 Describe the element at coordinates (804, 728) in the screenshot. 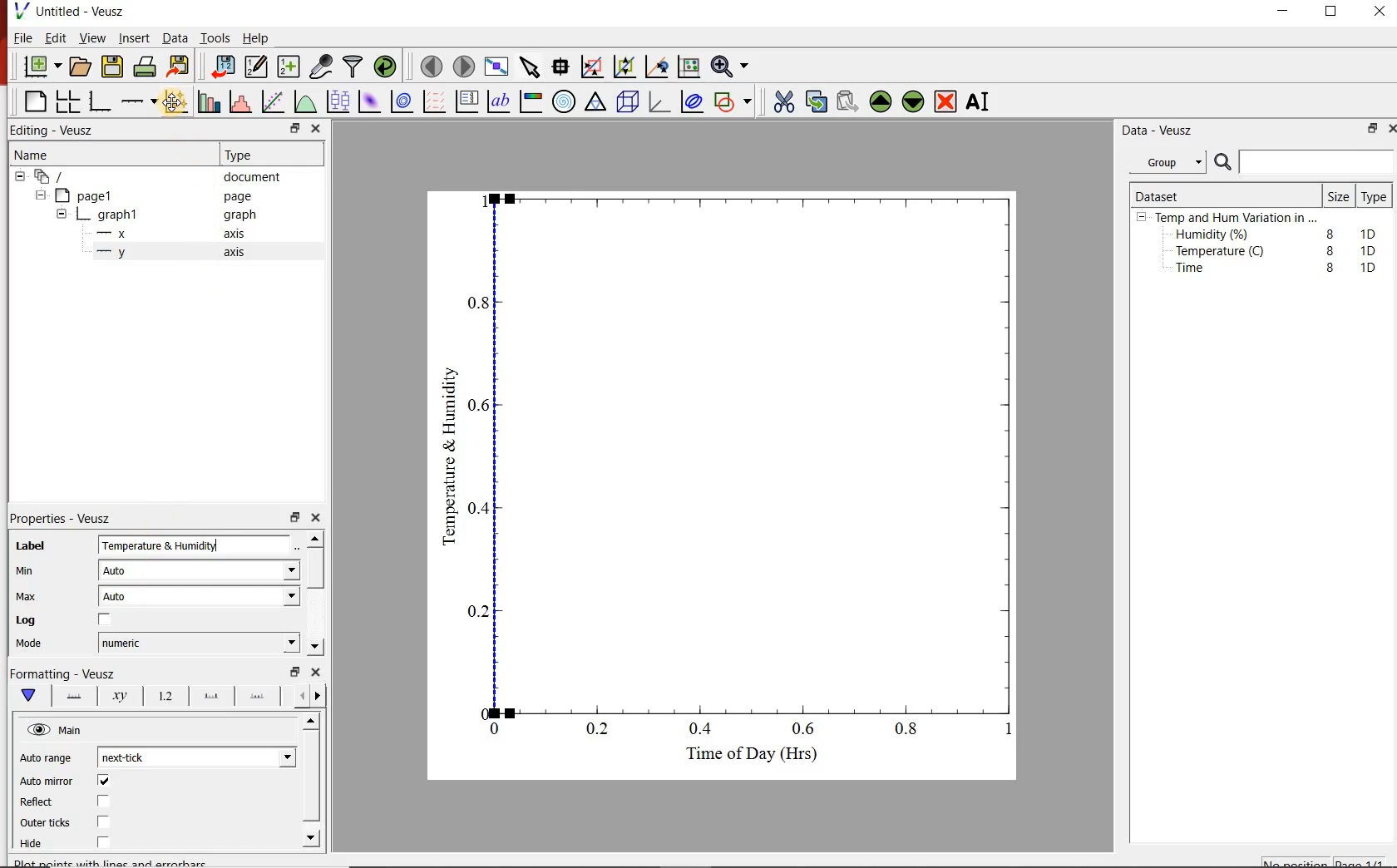

I see `0.6` at that location.